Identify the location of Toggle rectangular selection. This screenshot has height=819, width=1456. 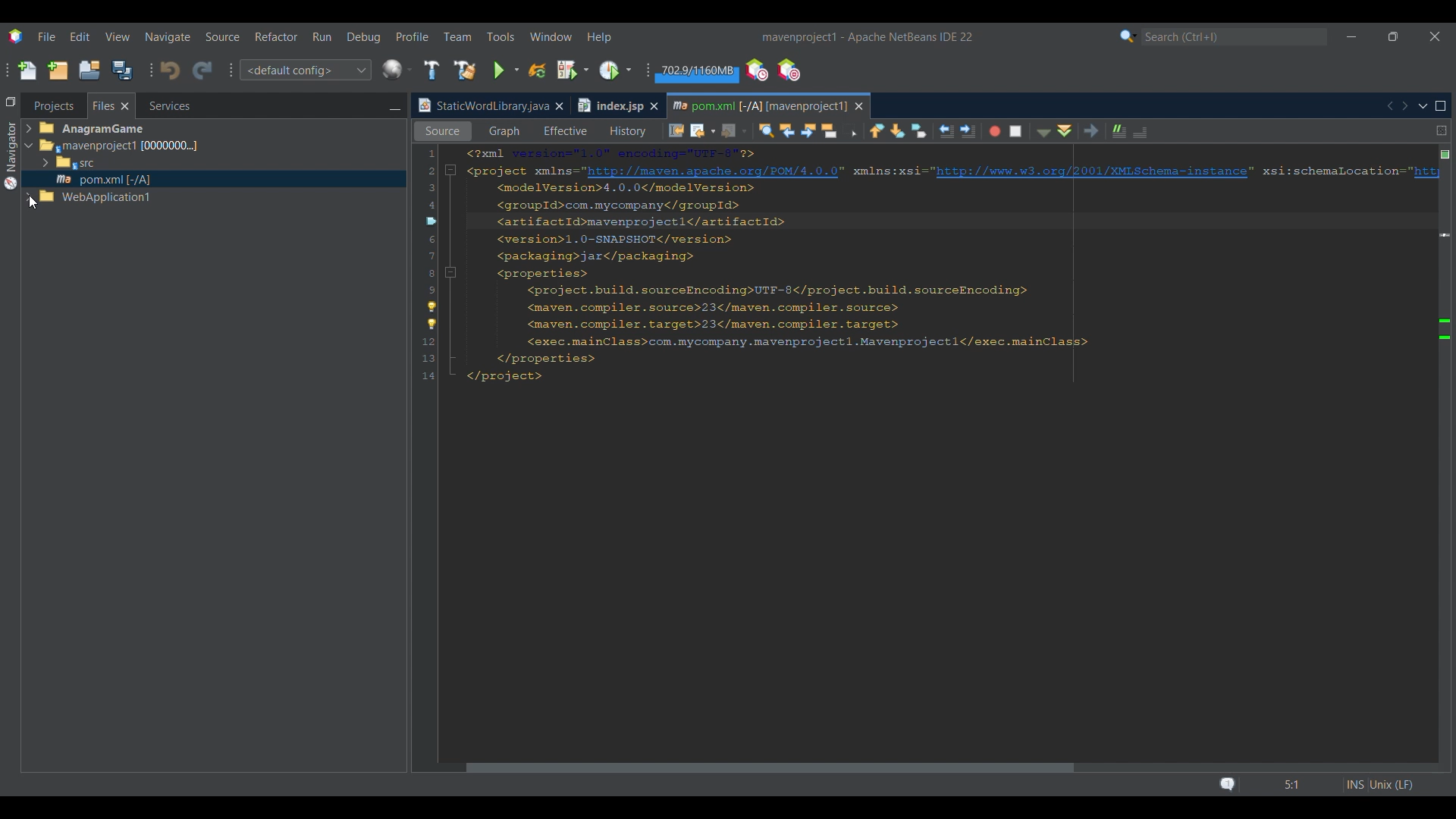
(852, 132).